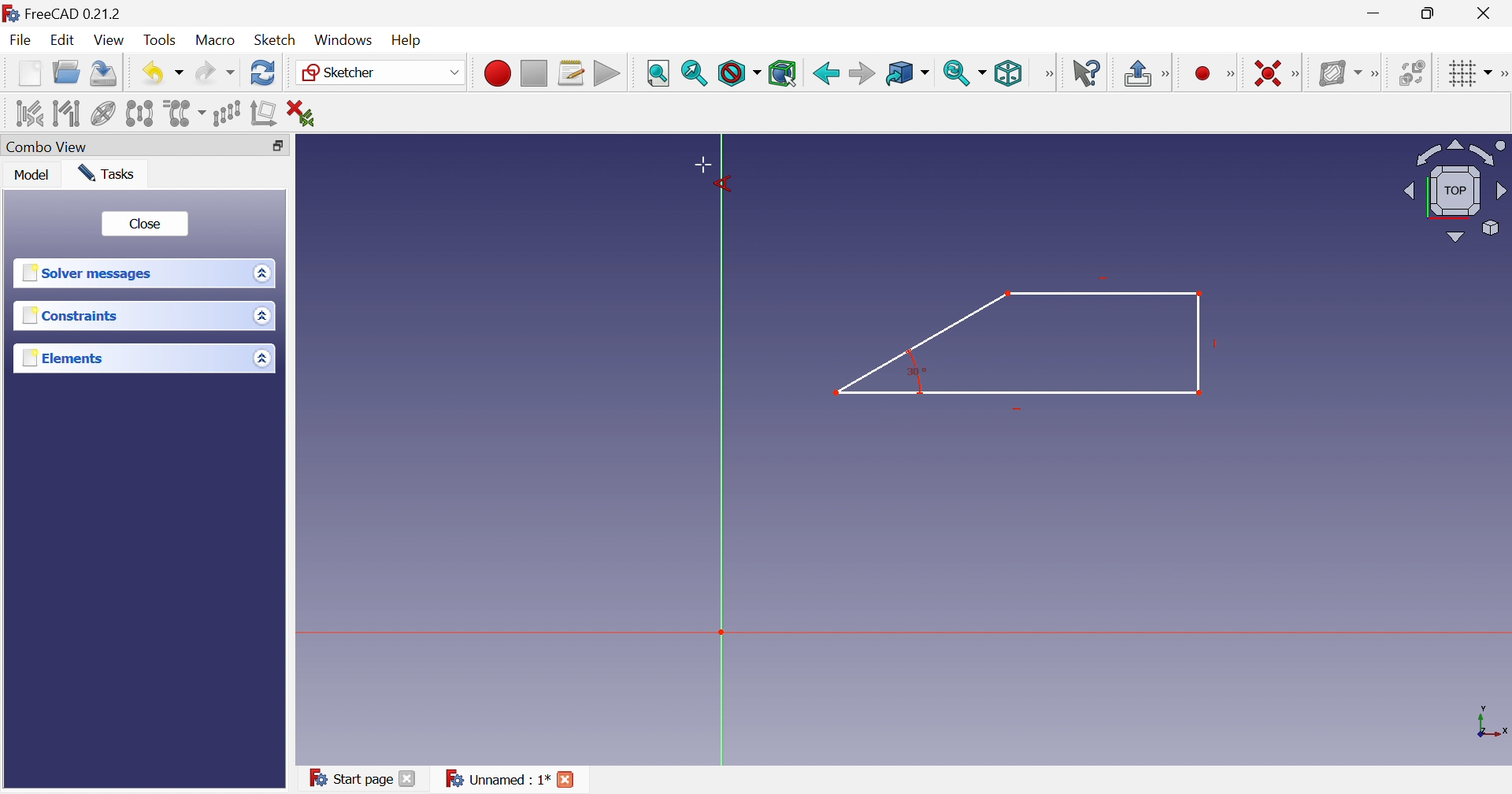  I want to click on Constraint vertically, so click(1207, 72).